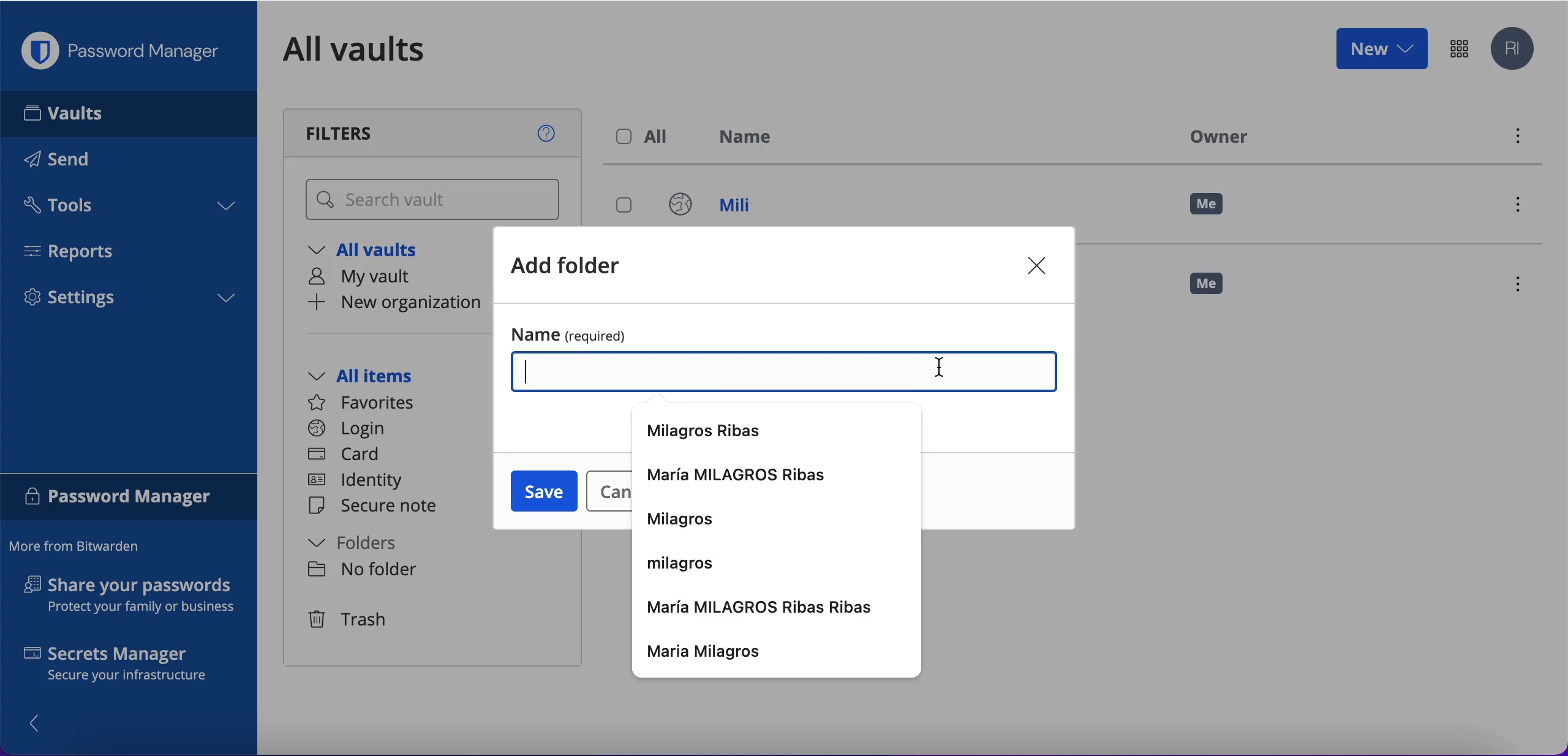 The image size is (1568, 756). What do you see at coordinates (360, 482) in the screenshot?
I see `identity` at bounding box center [360, 482].